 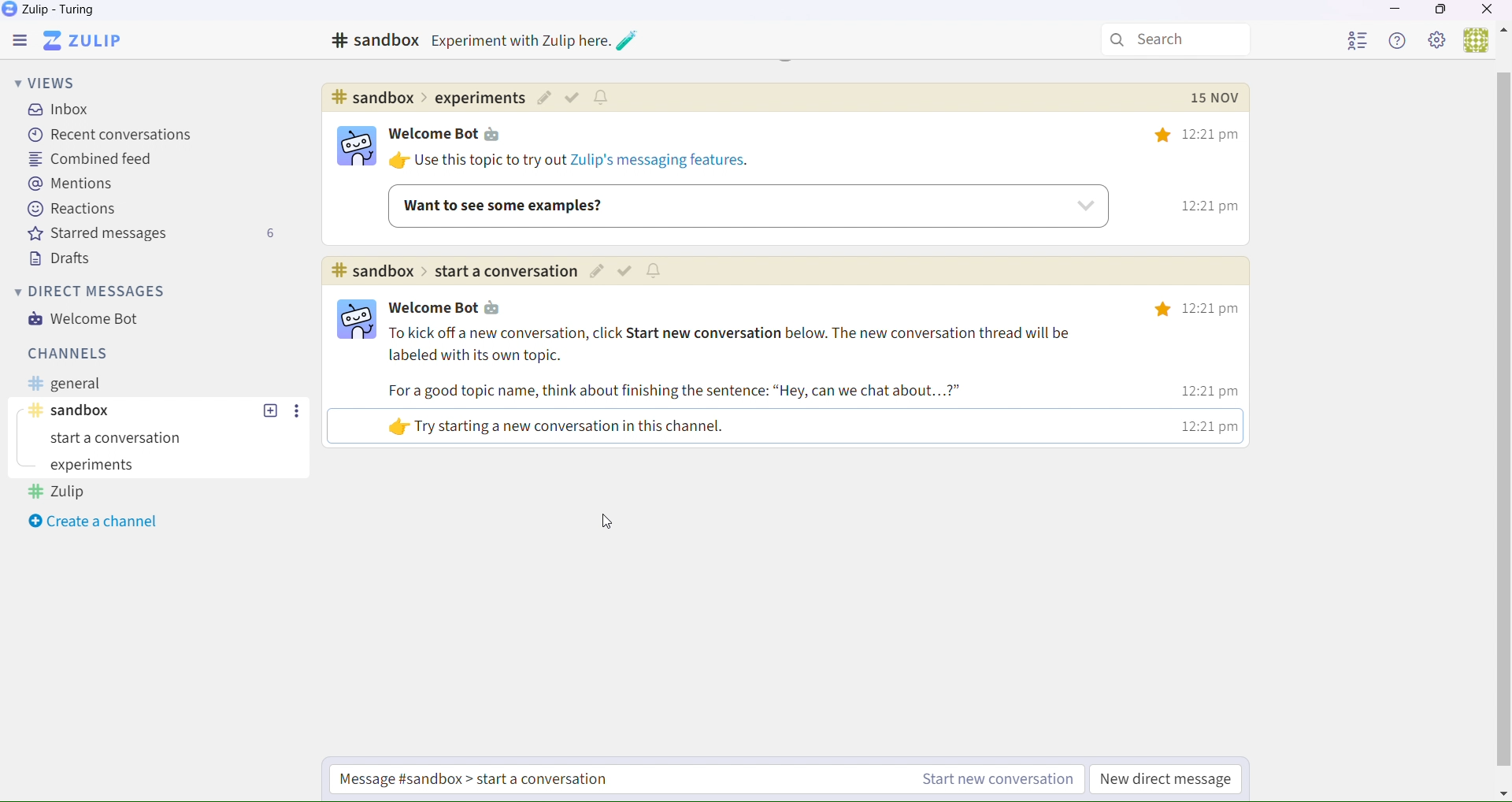 What do you see at coordinates (90, 160) in the screenshot?
I see `Combined feed` at bounding box center [90, 160].